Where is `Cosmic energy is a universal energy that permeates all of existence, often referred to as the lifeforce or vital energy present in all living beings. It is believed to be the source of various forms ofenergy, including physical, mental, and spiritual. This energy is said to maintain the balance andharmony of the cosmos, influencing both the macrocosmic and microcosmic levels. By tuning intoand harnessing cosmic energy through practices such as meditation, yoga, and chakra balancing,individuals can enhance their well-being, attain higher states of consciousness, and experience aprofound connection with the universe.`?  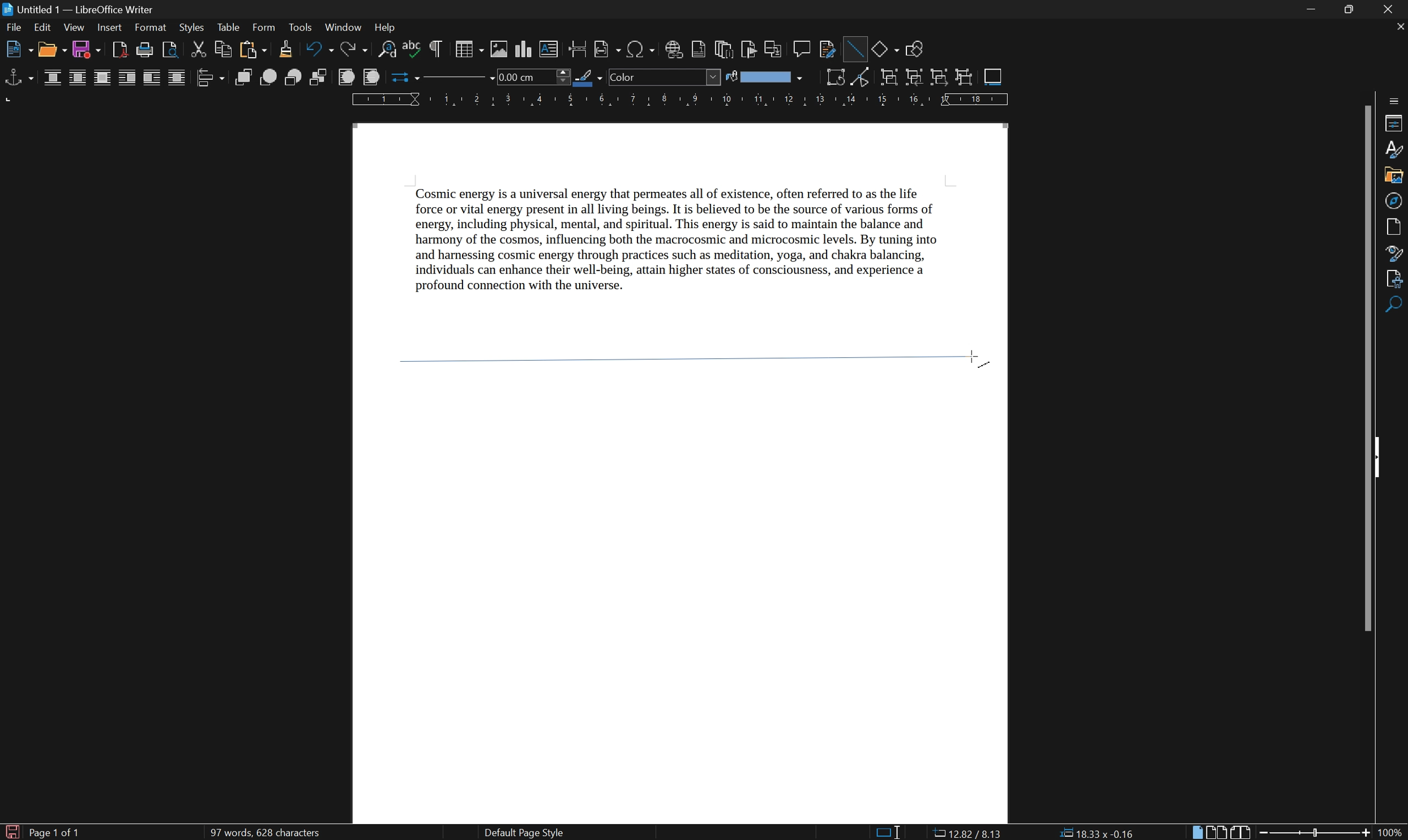
Cosmic energy is a universal energy that permeates all of existence, often referred to as the lifeforce or vital energy present in all living beings. It is believed to be the source of various forms ofenergy, including physical, mental, and spiritual. This energy is said to maintain the balance andharmony of the cosmos, influencing both the macrocosmic and microcosmic levels. By tuning intoand harnessing cosmic energy through practices such as meditation, yoga, and chakra balancing,individuals can enhance their well-being, attain higher states of consciousness, and experience aprofound connection with the universe. is located at coordinates (697, 246).